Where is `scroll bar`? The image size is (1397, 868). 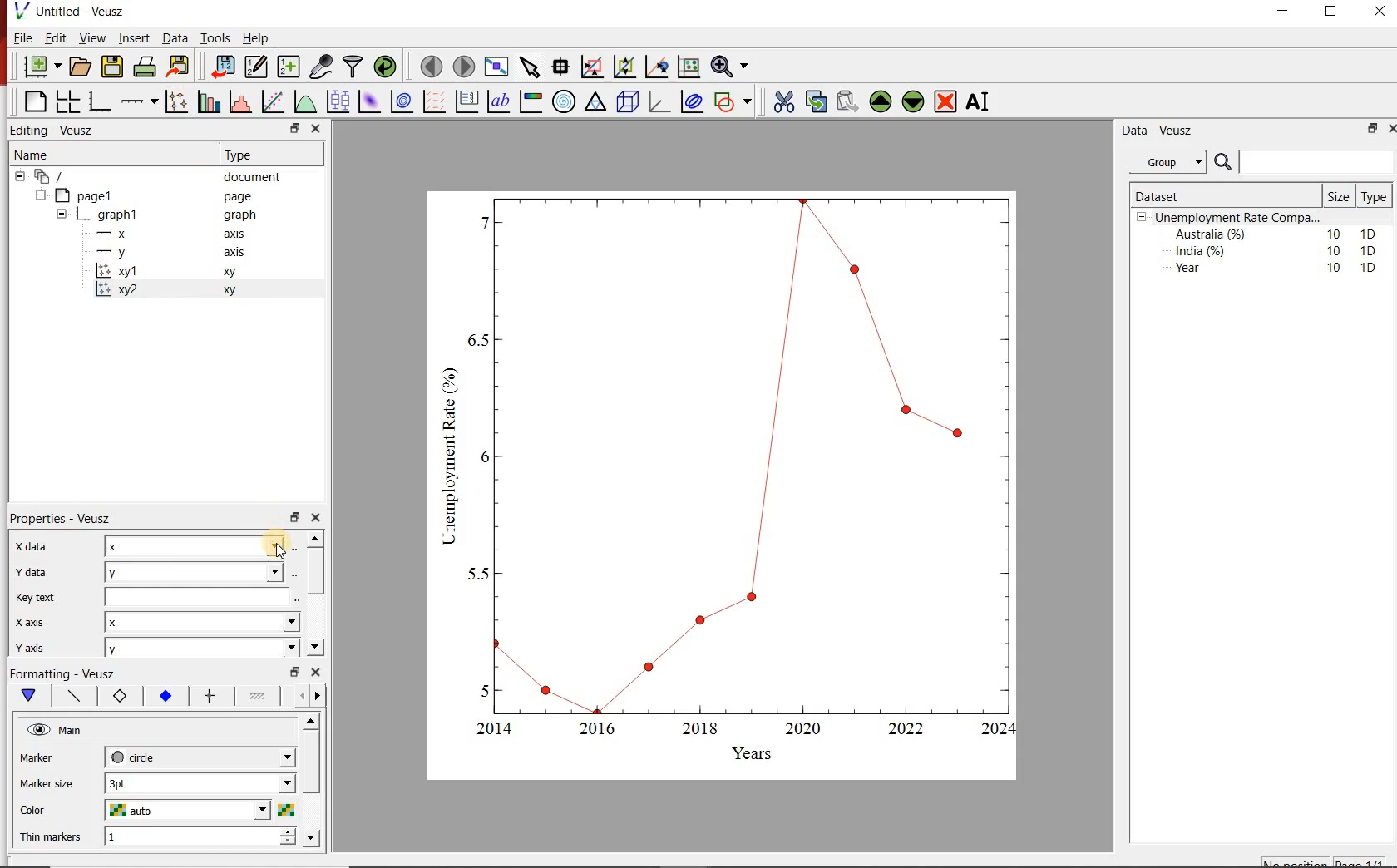
scroll bar is located at coordinates (314, 569).